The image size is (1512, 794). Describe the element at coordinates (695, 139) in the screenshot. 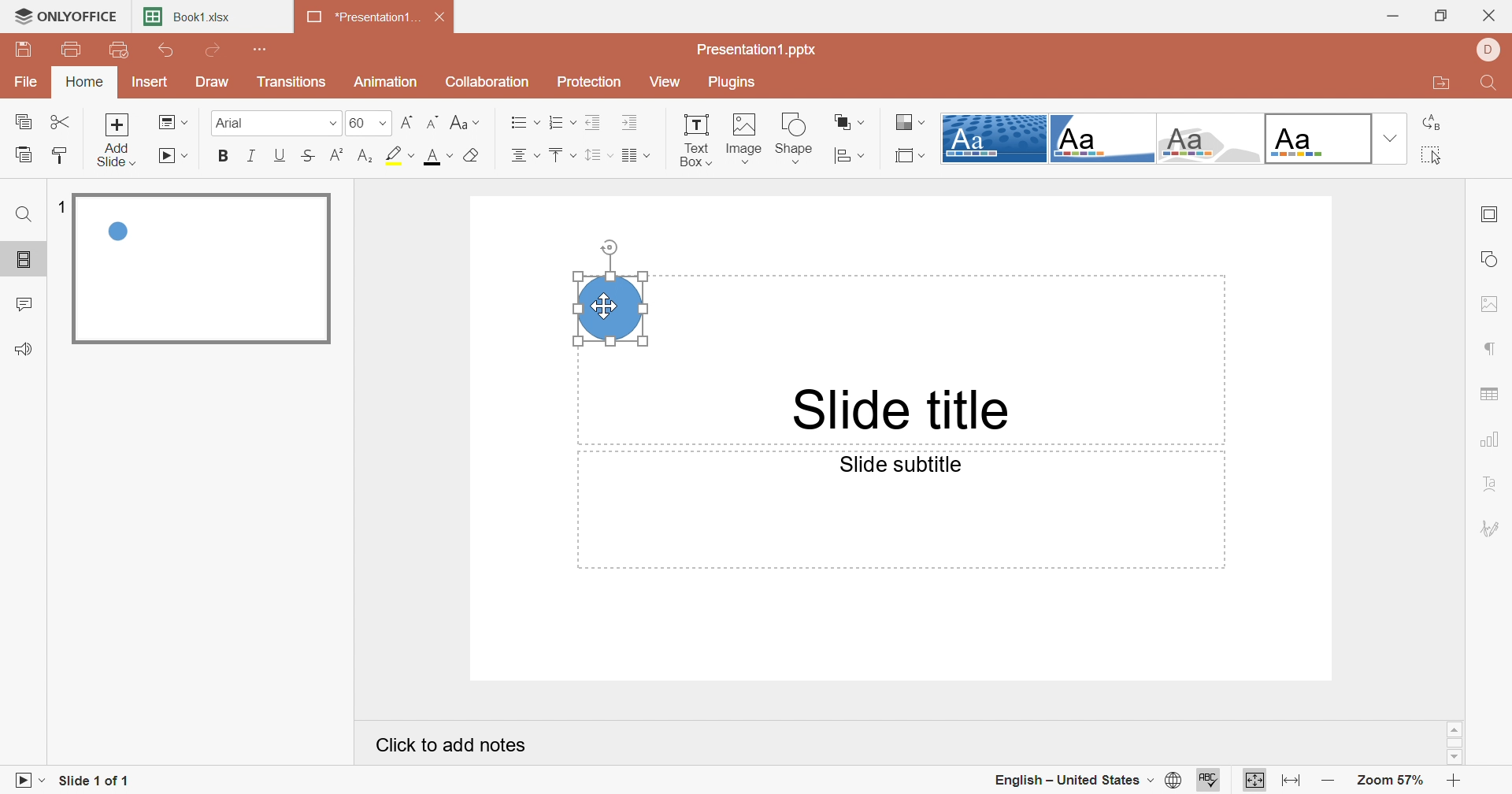

I see `Text box` at that location.